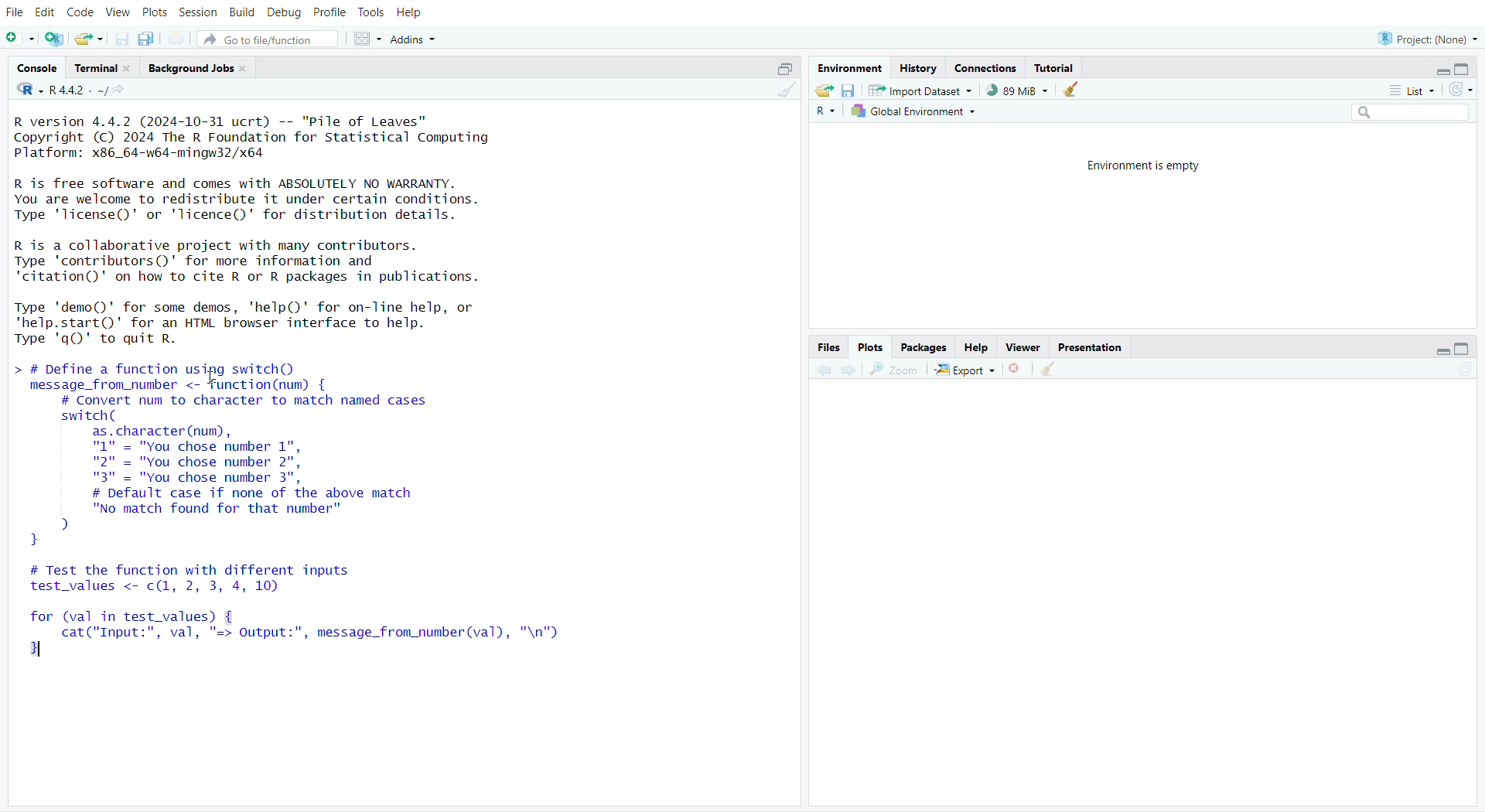 This screenshot has width=1485, height=812. What do you see at coordinates (14, 14) in the screenshot?
I see `File` at bounding box center [14, 14].